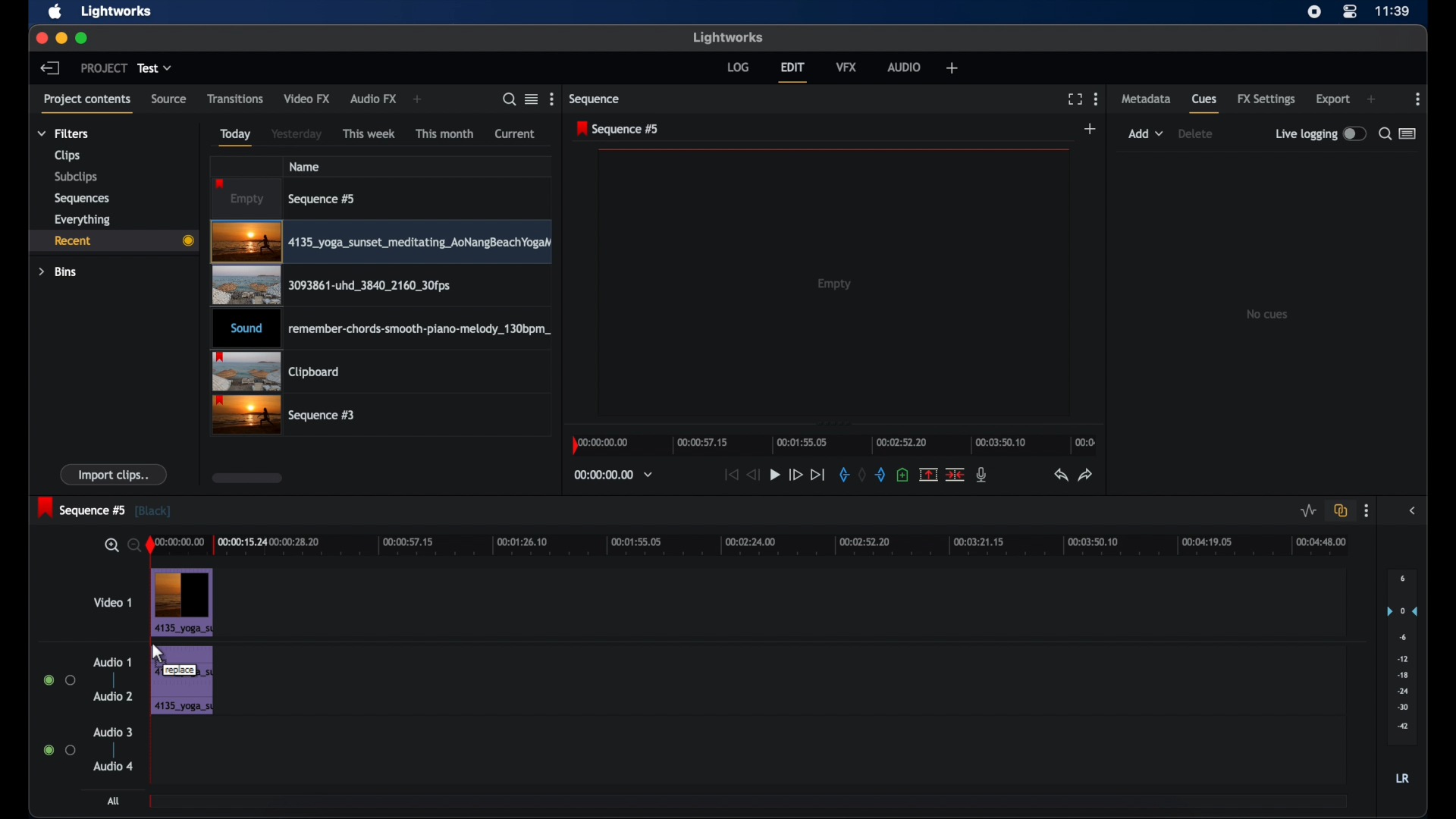 The image size is (1456, 819). Describe the element at coordinates (795, 475) in the screenshot. I see `fast forward` at that location.